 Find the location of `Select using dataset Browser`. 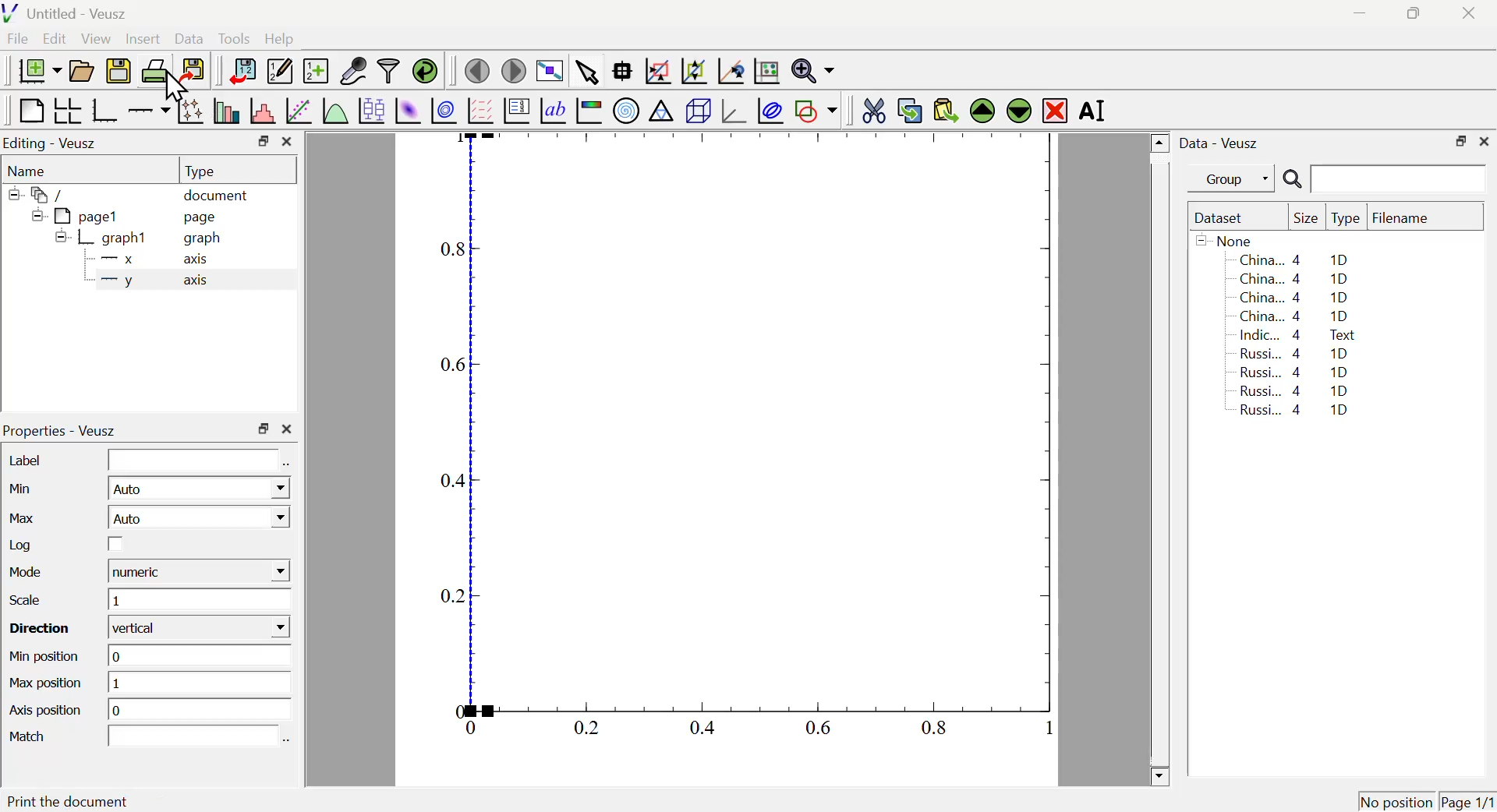

Select using dataset Browser is located at coordinates (286, 466).